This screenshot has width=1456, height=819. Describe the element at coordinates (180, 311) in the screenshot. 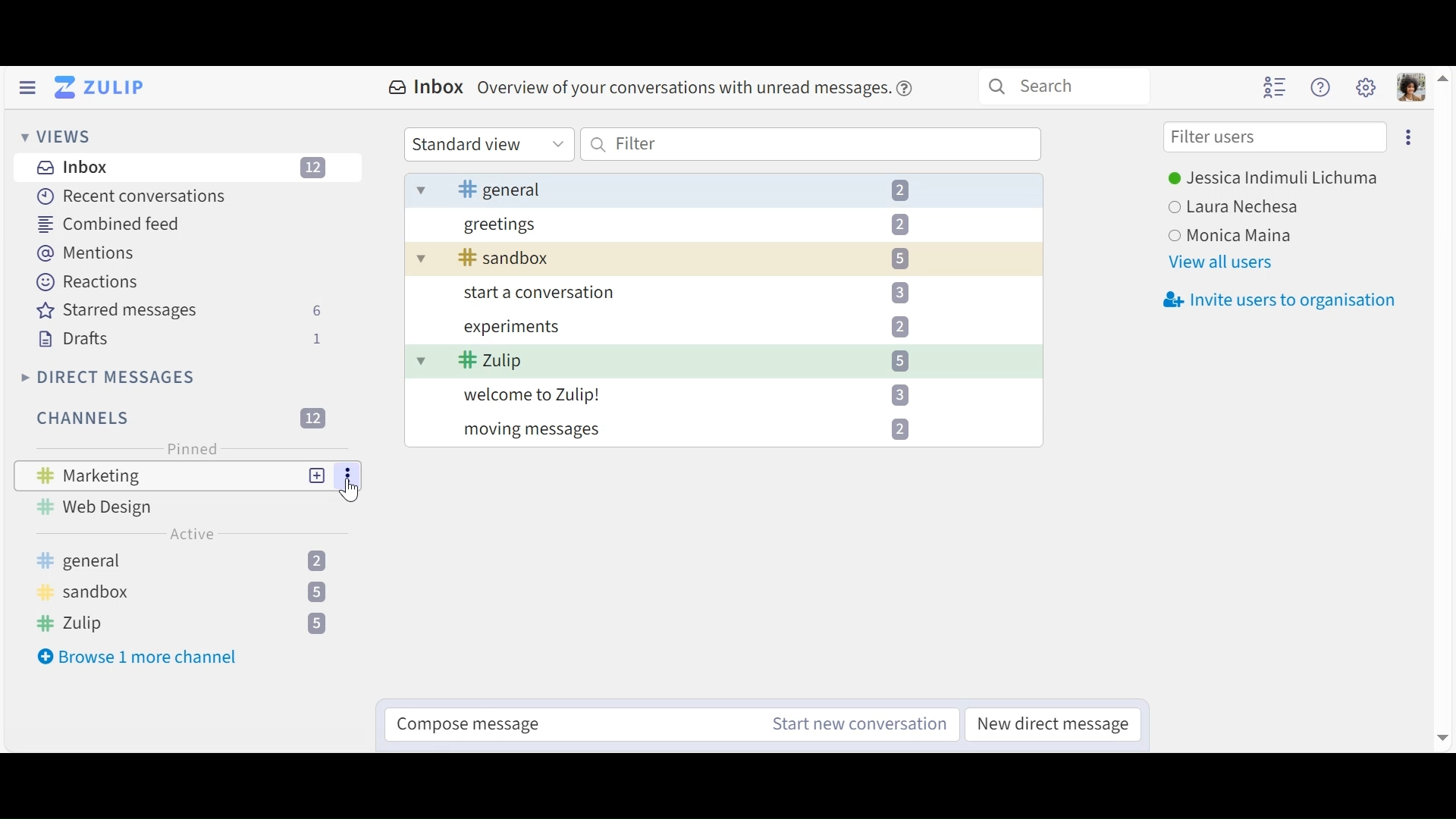

I see `Starred messages` at that location.